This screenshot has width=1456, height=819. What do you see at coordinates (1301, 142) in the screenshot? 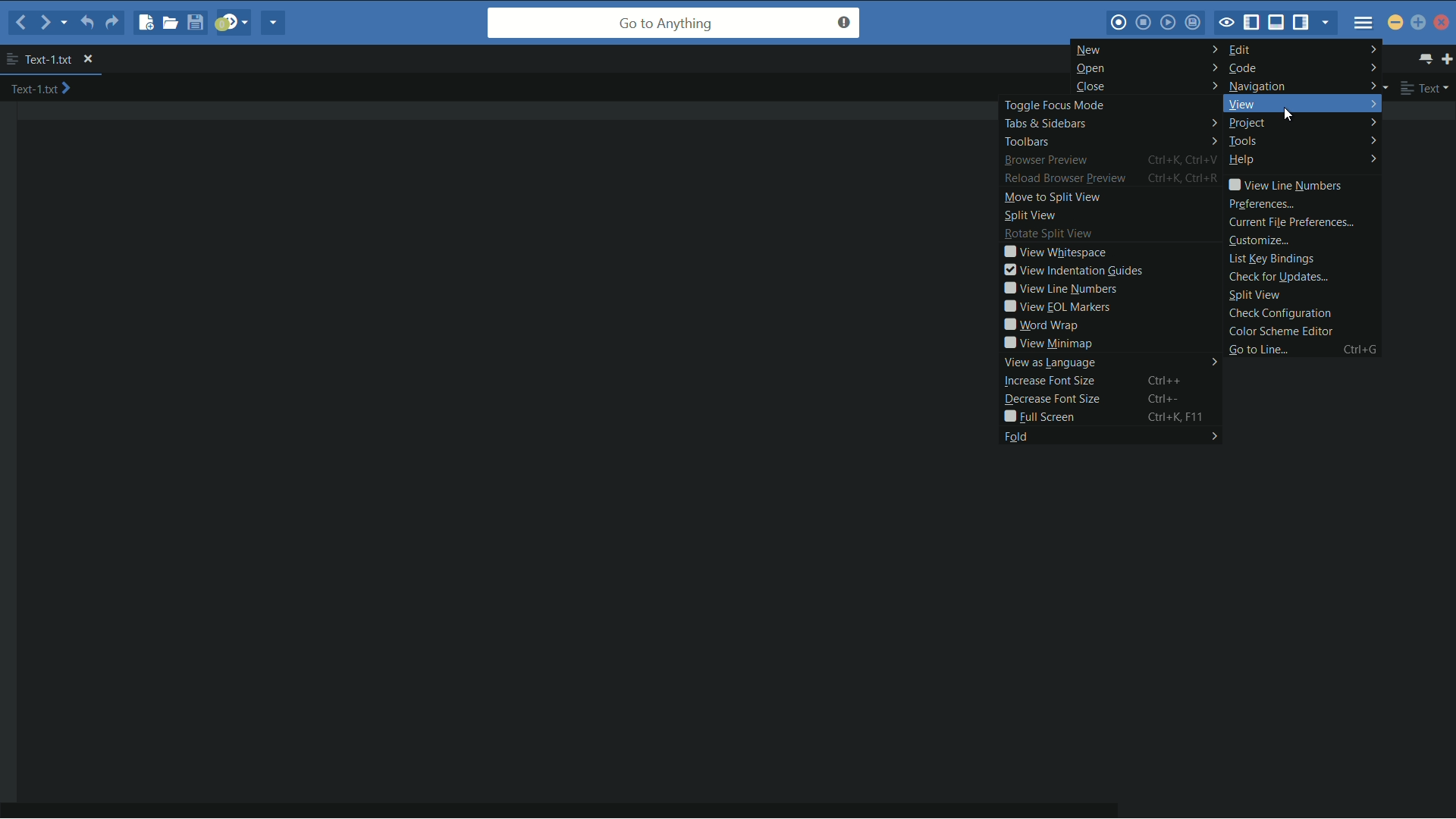
I see `tools` at bounding box center [1301, 142].